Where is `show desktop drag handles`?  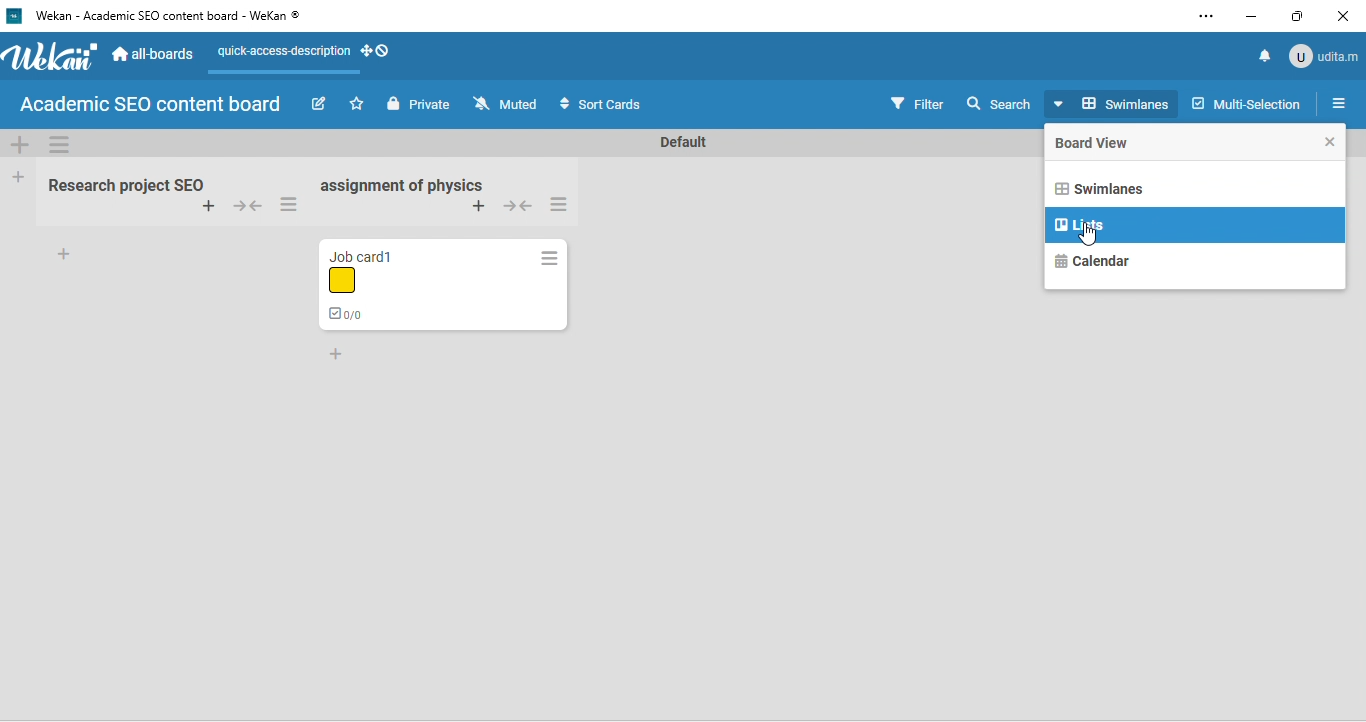
show desktop drag handles is located at coordinates (376, 55).